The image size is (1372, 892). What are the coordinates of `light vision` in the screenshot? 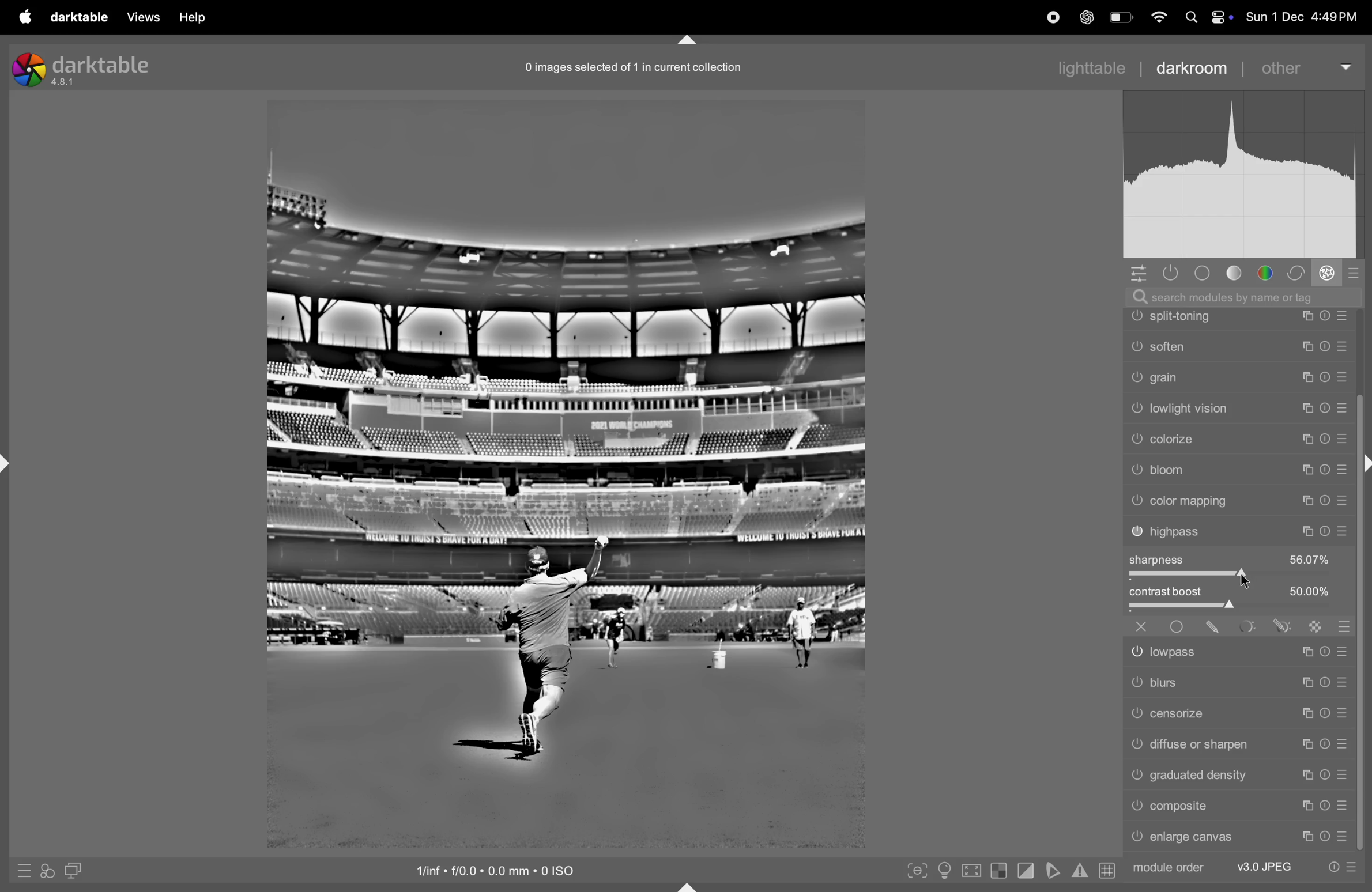 It's located at (1239, 499).